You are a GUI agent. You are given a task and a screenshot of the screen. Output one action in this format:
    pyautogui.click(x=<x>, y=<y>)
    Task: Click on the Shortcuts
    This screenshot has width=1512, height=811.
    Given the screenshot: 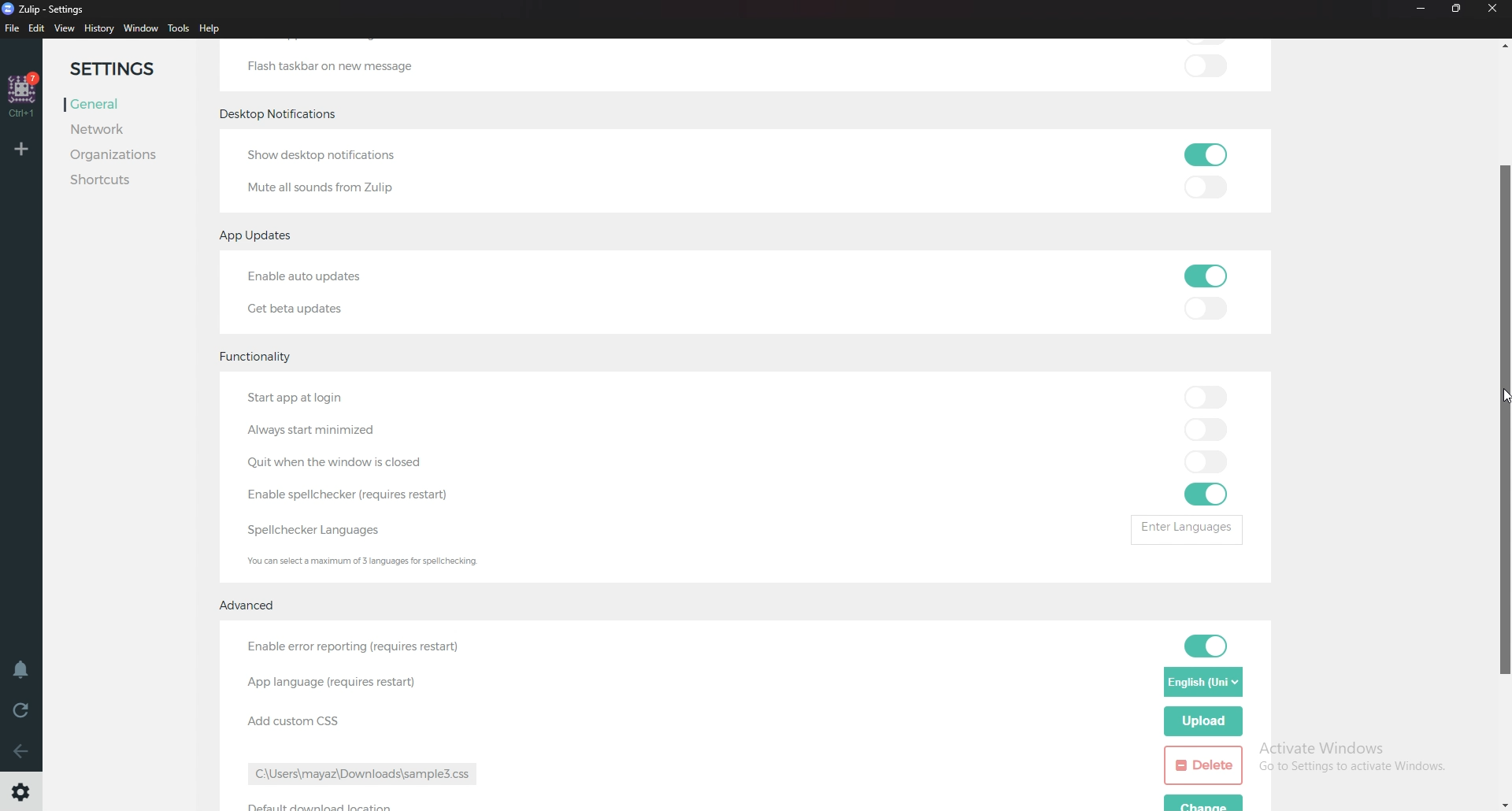 What is the action you would take?
    pyautogui.click(x=113, y=180)
    